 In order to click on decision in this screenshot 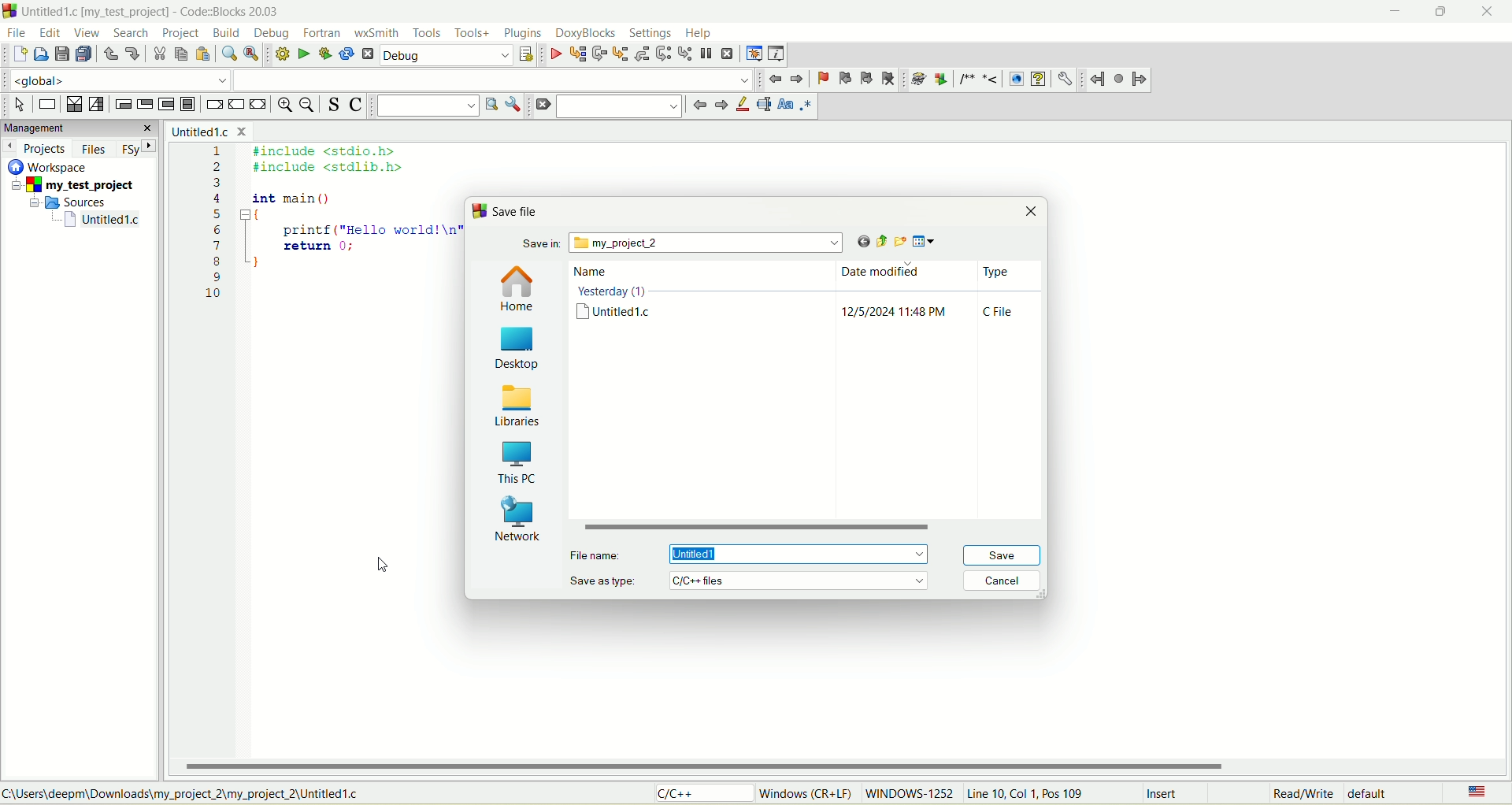, I will do `click(73, 105)`.